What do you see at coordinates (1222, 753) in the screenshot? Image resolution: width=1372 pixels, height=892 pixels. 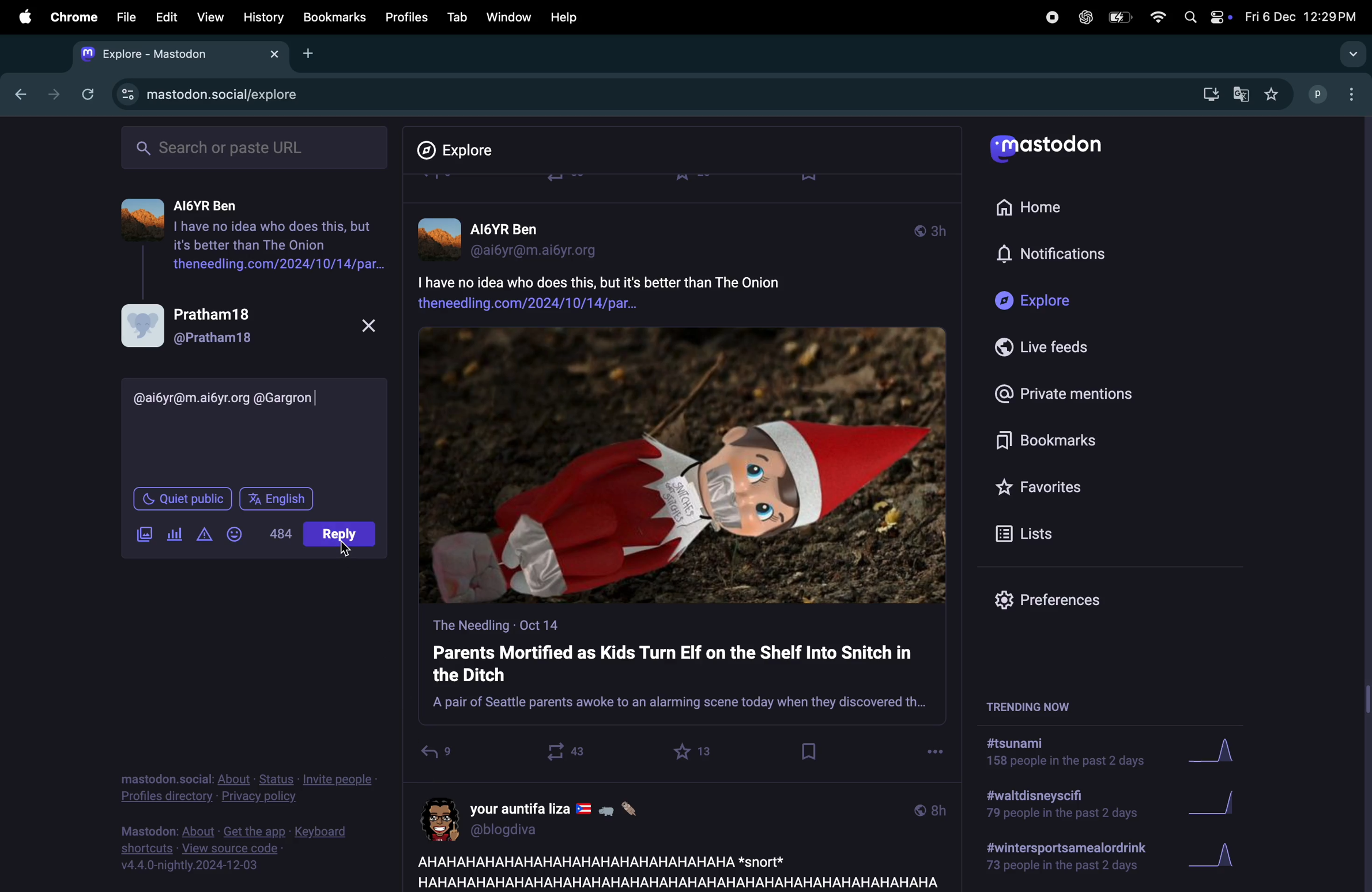 I see `graph` at bounding box center [1222, 753].